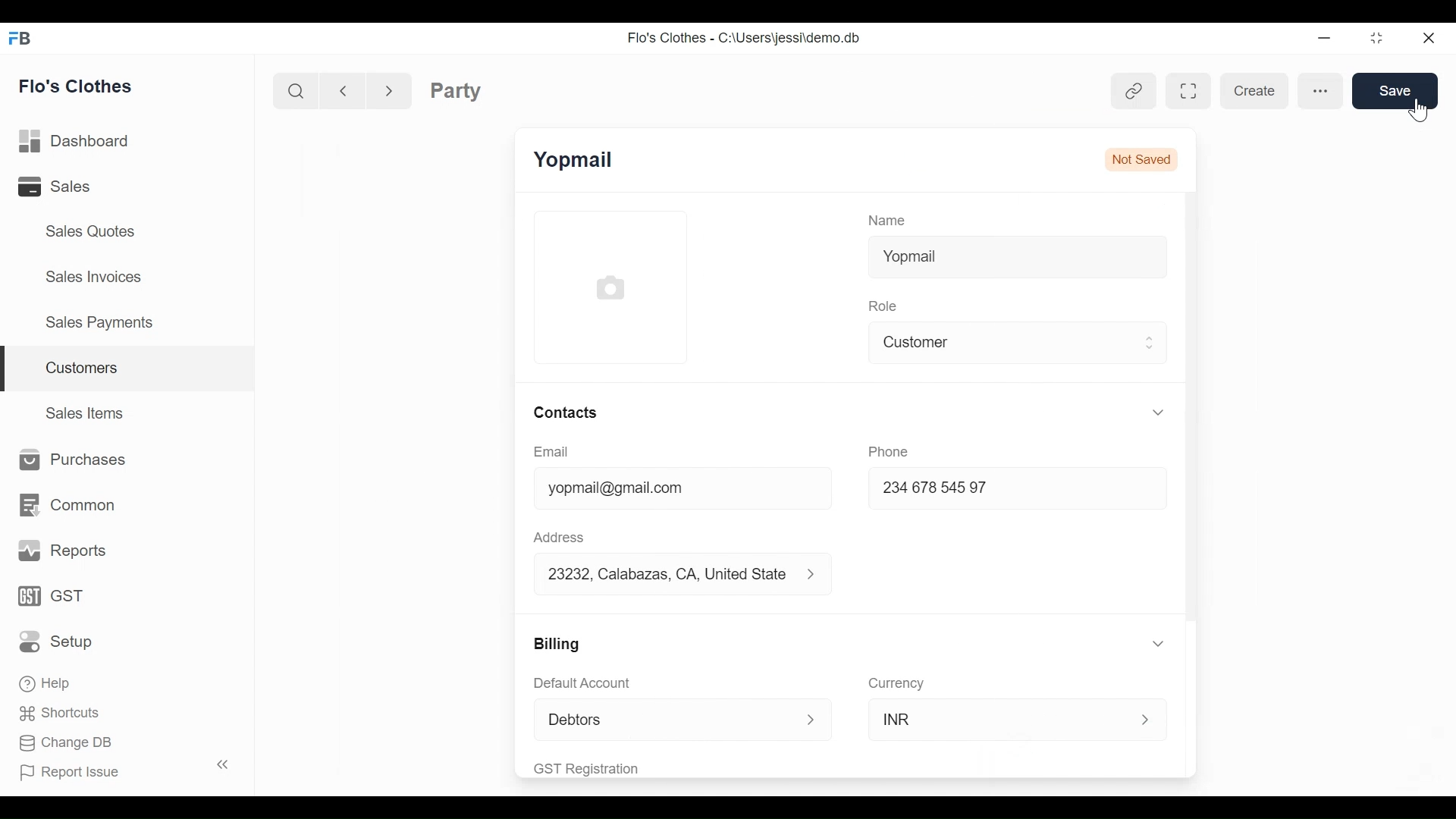  Describe the element at coordinates (92, 231) in the screenshot. I see `Sales Quotes` at that location.